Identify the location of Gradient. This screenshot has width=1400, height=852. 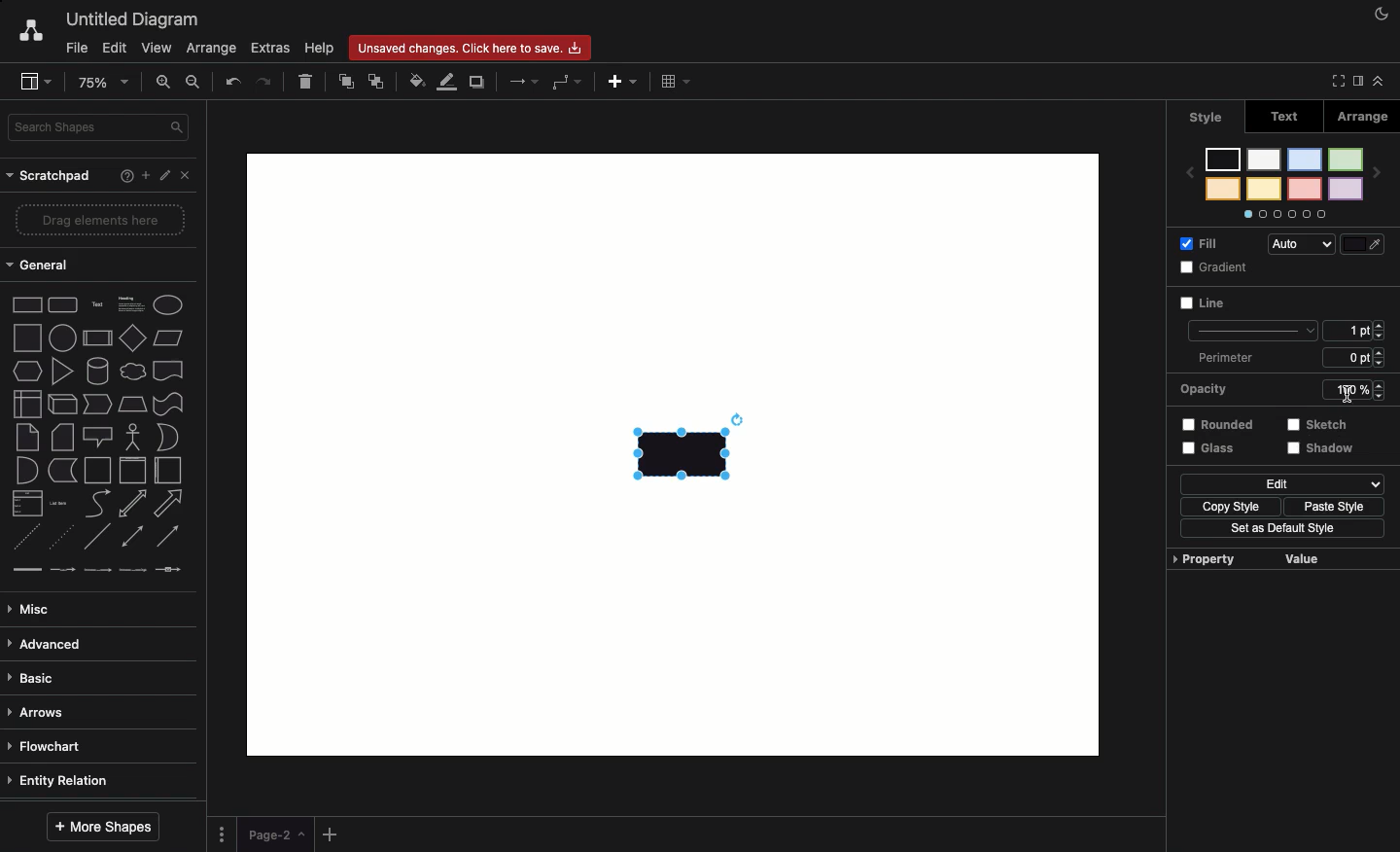
(1210, 269).